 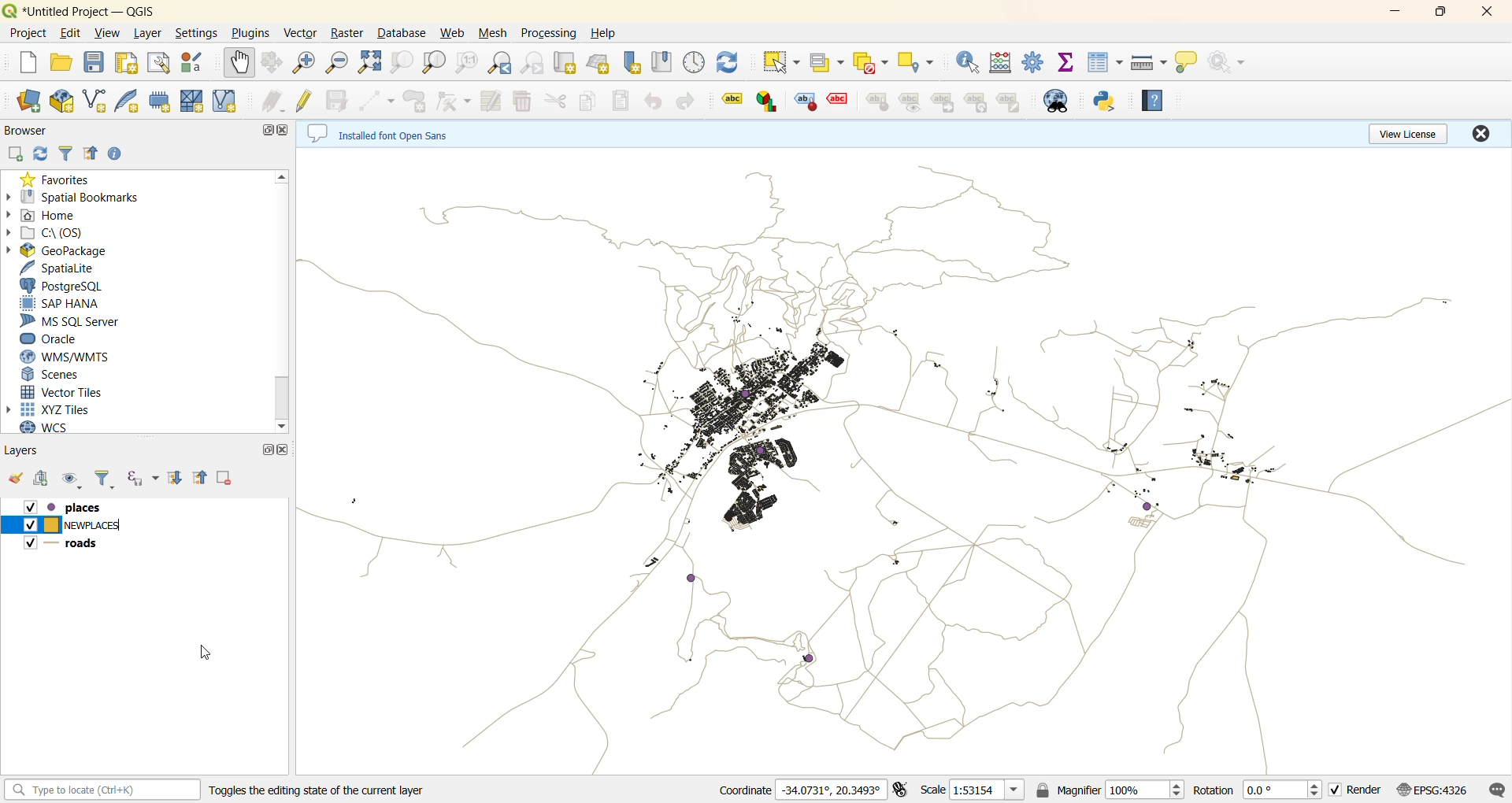 What do you see at coordinates (275, 102) in the screenshot?
I see `edits` at bounding box center [275, 102].